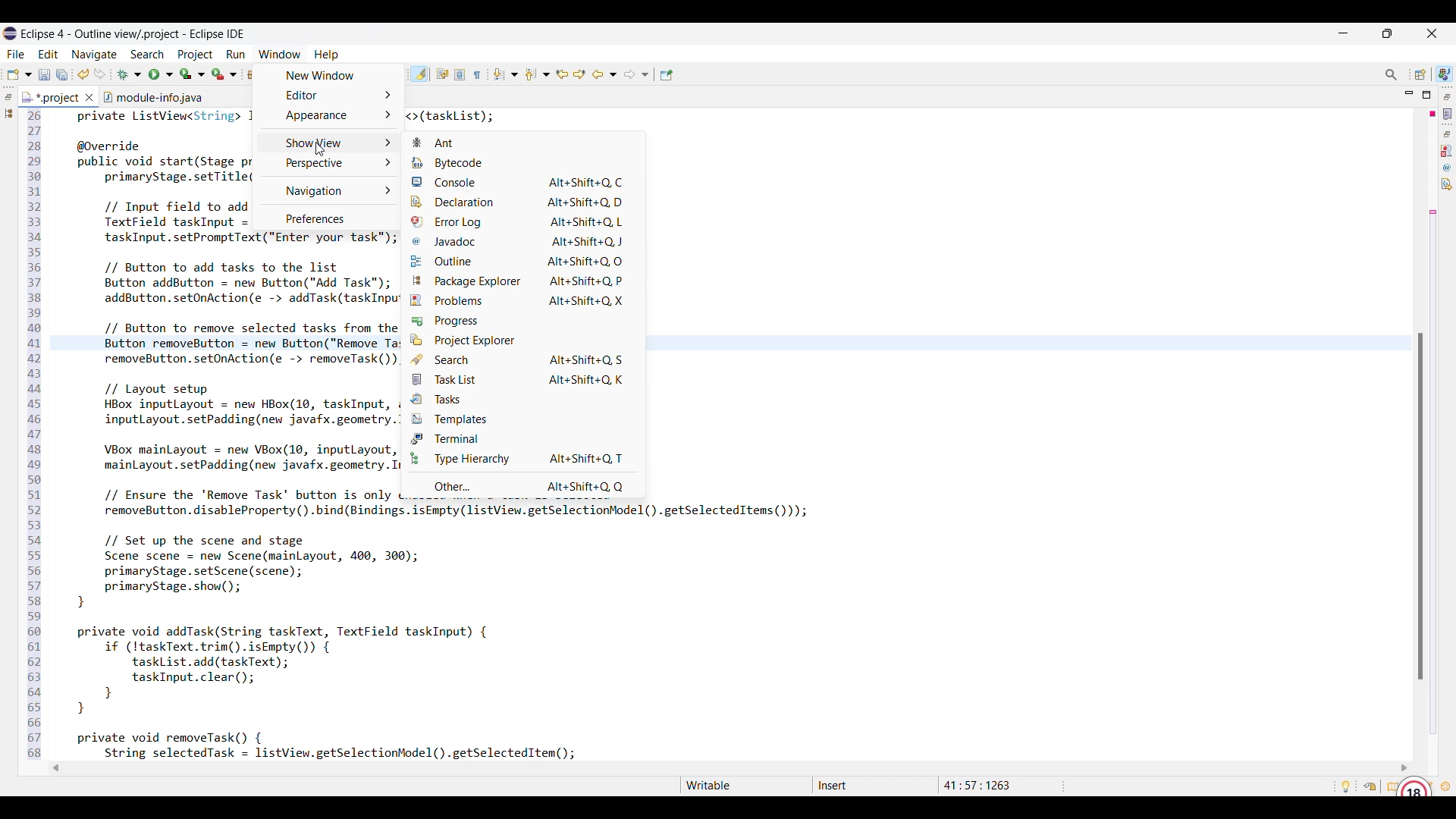  I want to click on Save all, so click(62, 75).